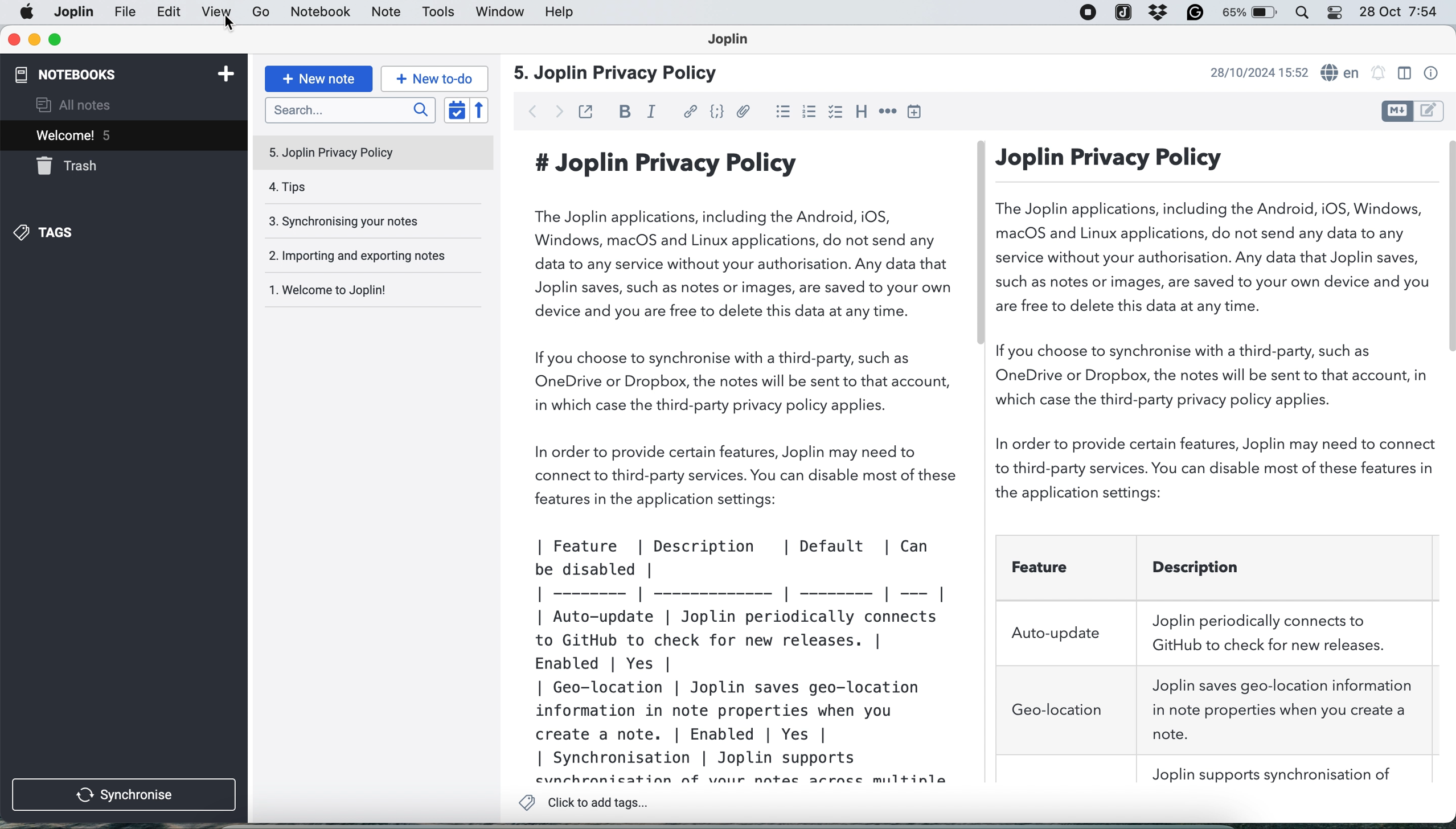 The width and height of the screenshot is (1456, 829). Describe the element at coordinates (981, 243) in the screenshot. I see `vertical scroll bar` at that location.